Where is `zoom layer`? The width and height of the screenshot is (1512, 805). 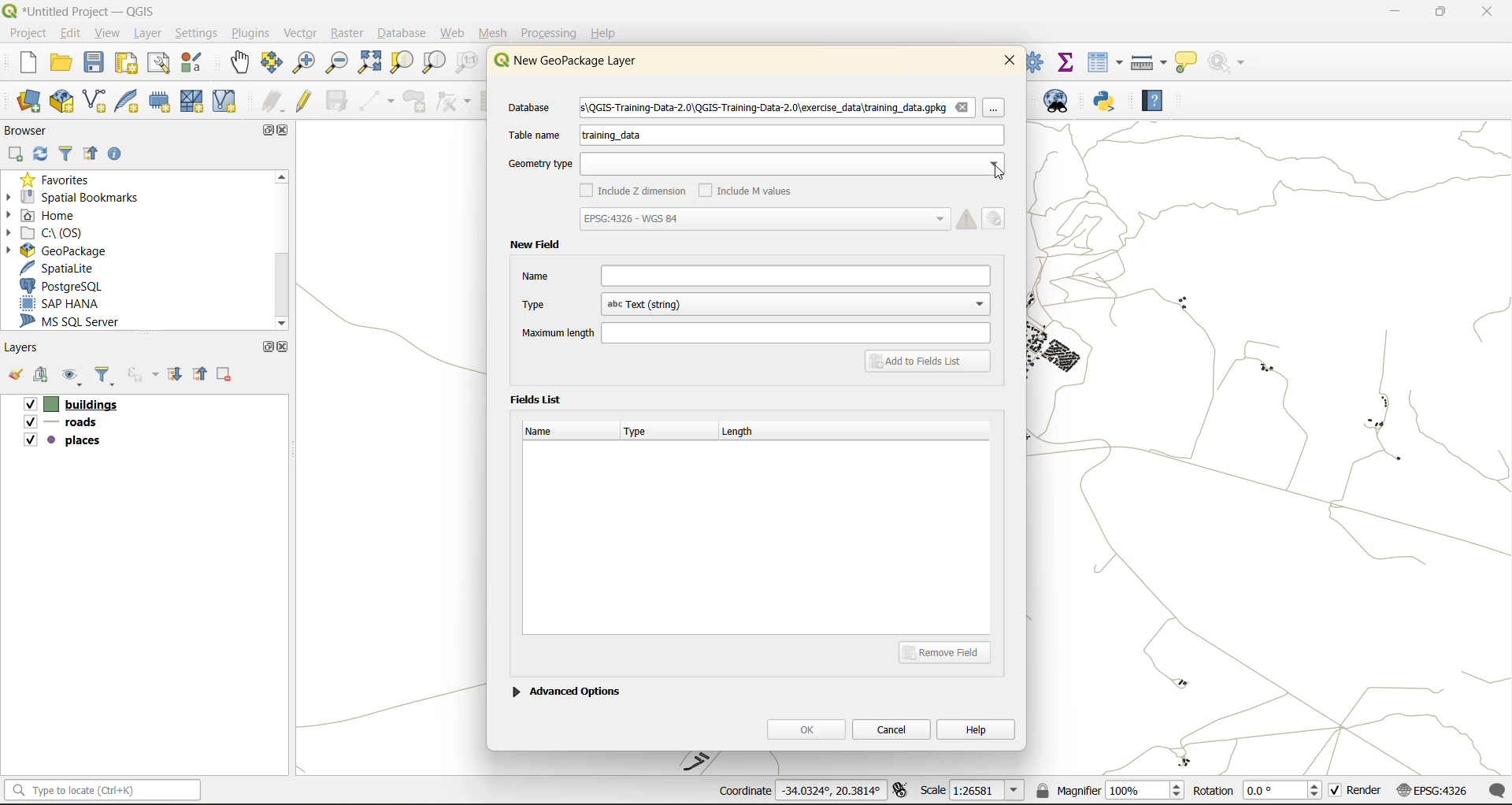
zoom layer is located at coordinates (434, 63).